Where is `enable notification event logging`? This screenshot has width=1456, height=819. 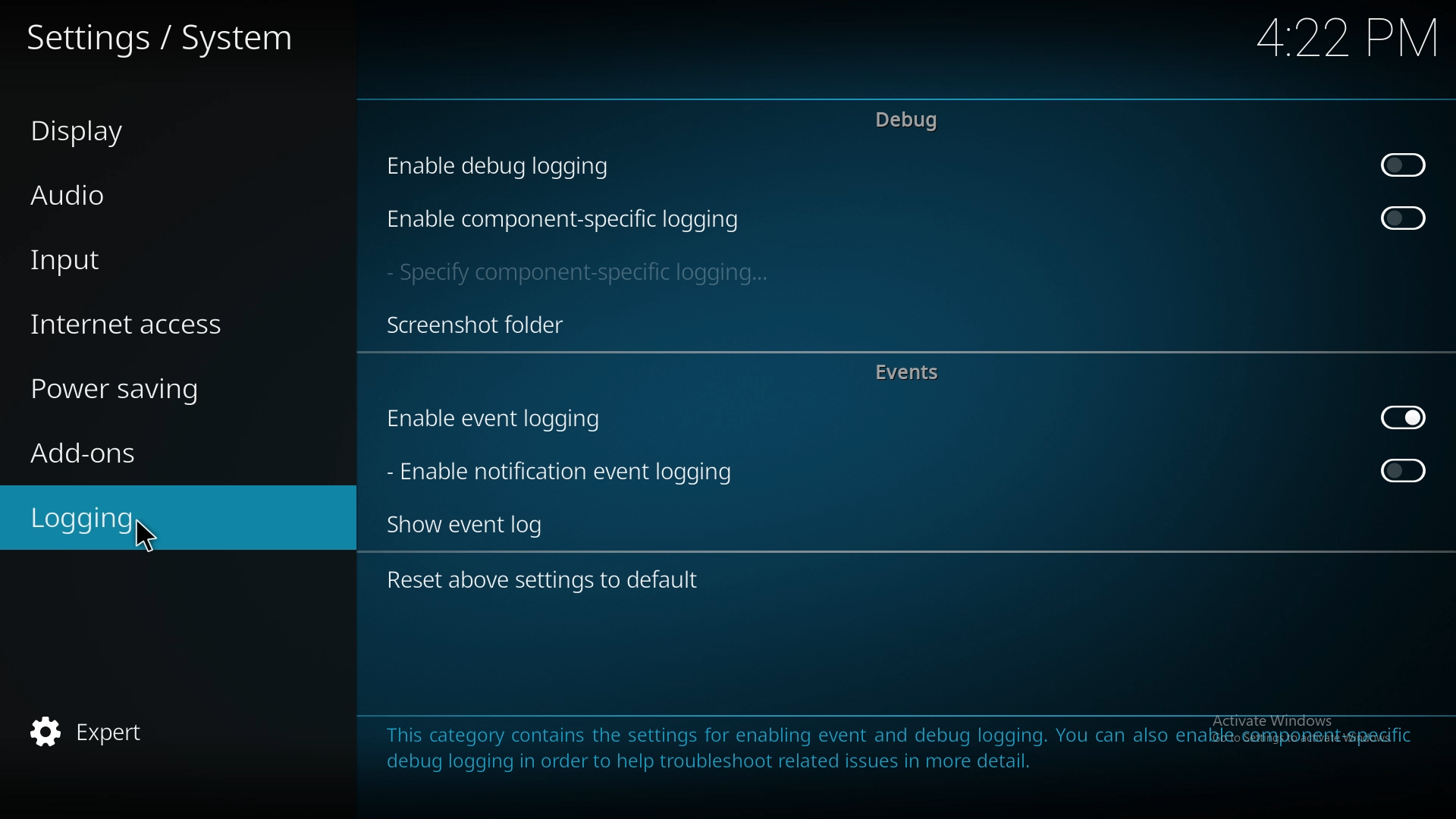 enable notification event logging is located at coordinates (569, 471).